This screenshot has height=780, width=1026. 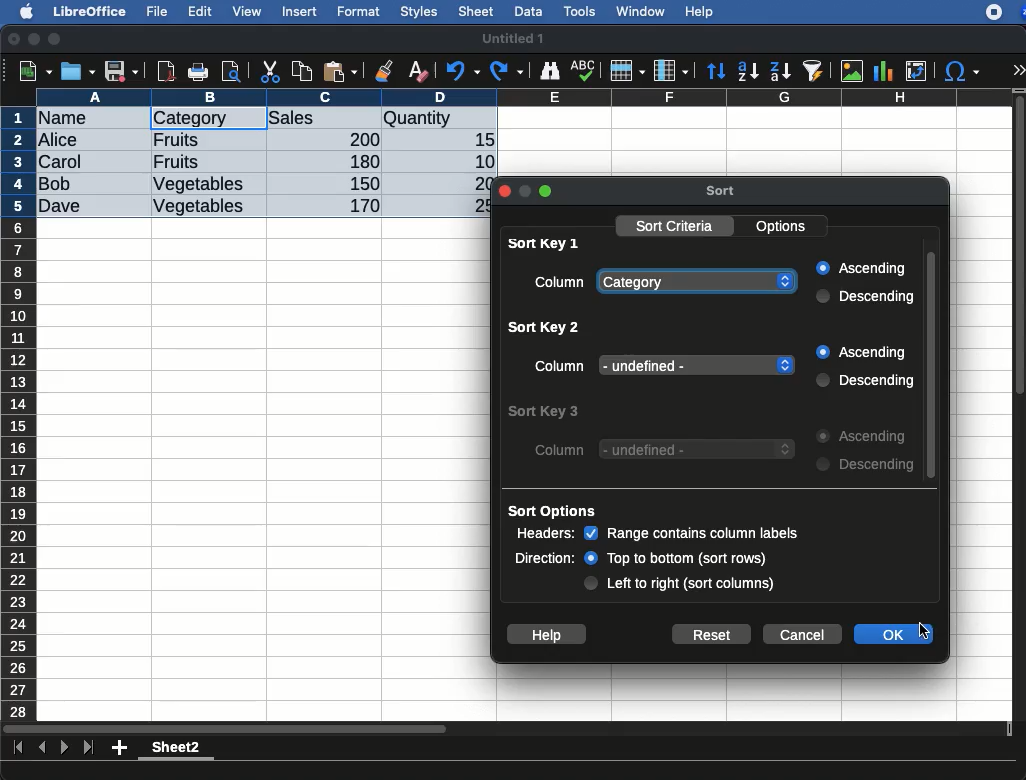 I want to click on category, so click(x=190, y=119).